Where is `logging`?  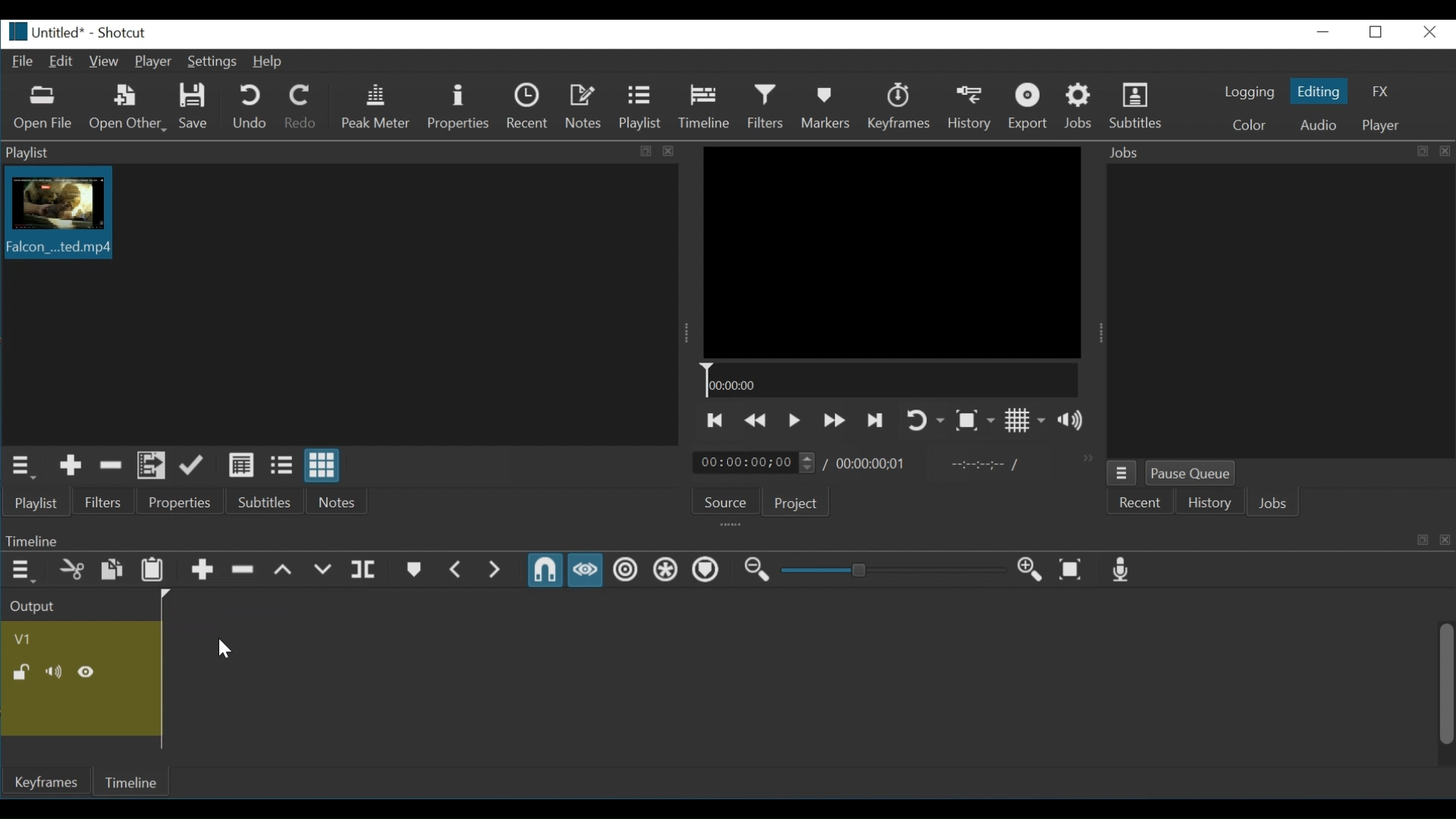
logging is located at coordinates (1250, 93).